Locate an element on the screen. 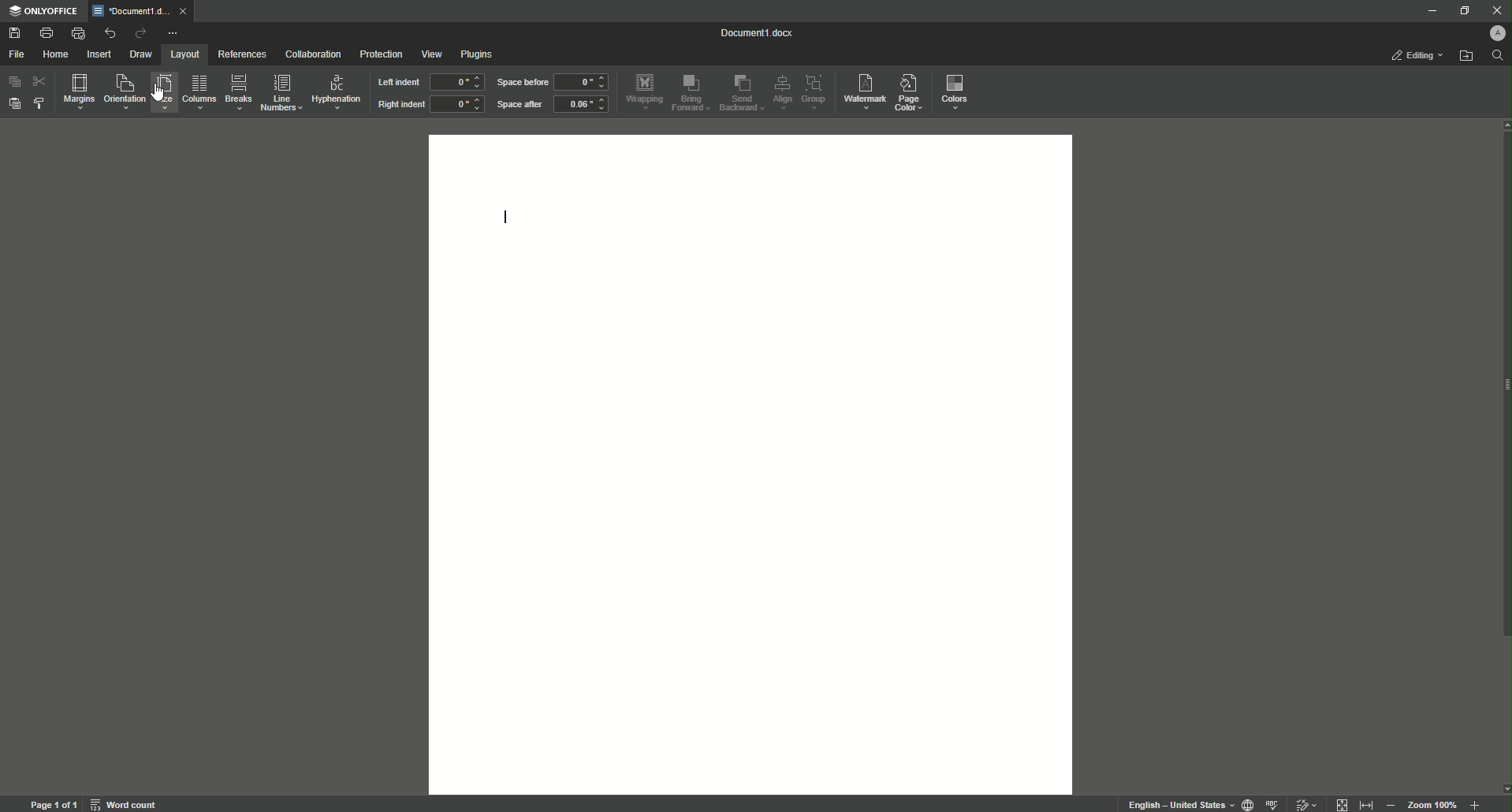  Zoom In is located at coordinates (1392, 803).